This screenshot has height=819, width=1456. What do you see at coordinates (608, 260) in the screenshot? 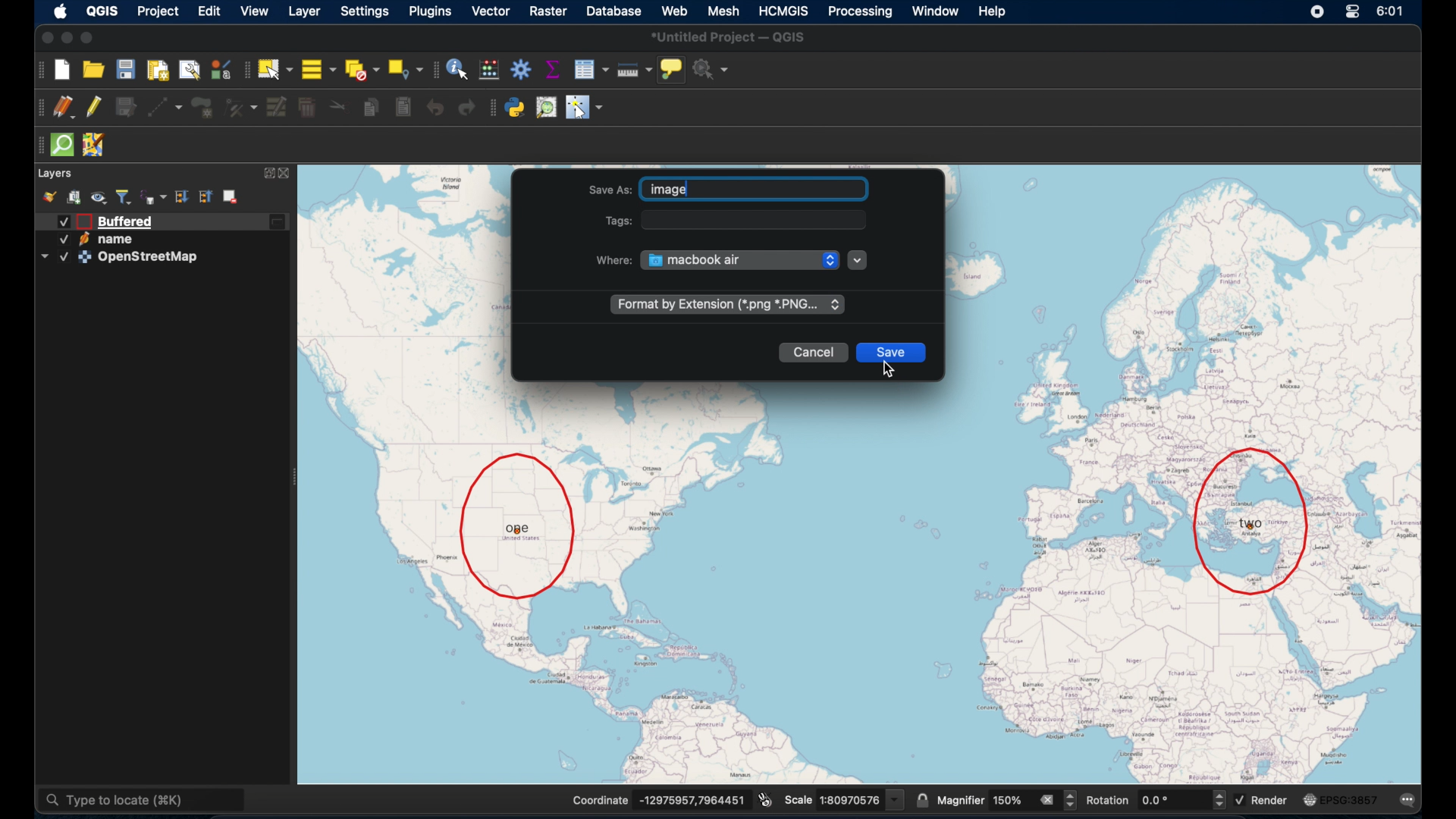
I see `where` at bounding box center [608, 260].